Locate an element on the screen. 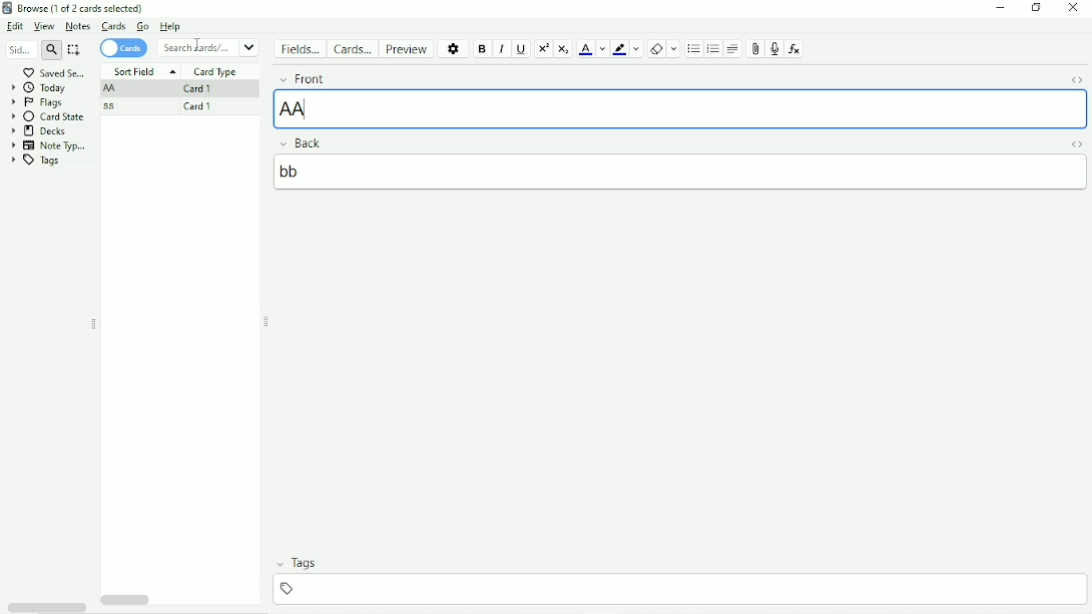 The width and height of the screenshot is (1092, 614). Options is located at coordinates (454, 48).